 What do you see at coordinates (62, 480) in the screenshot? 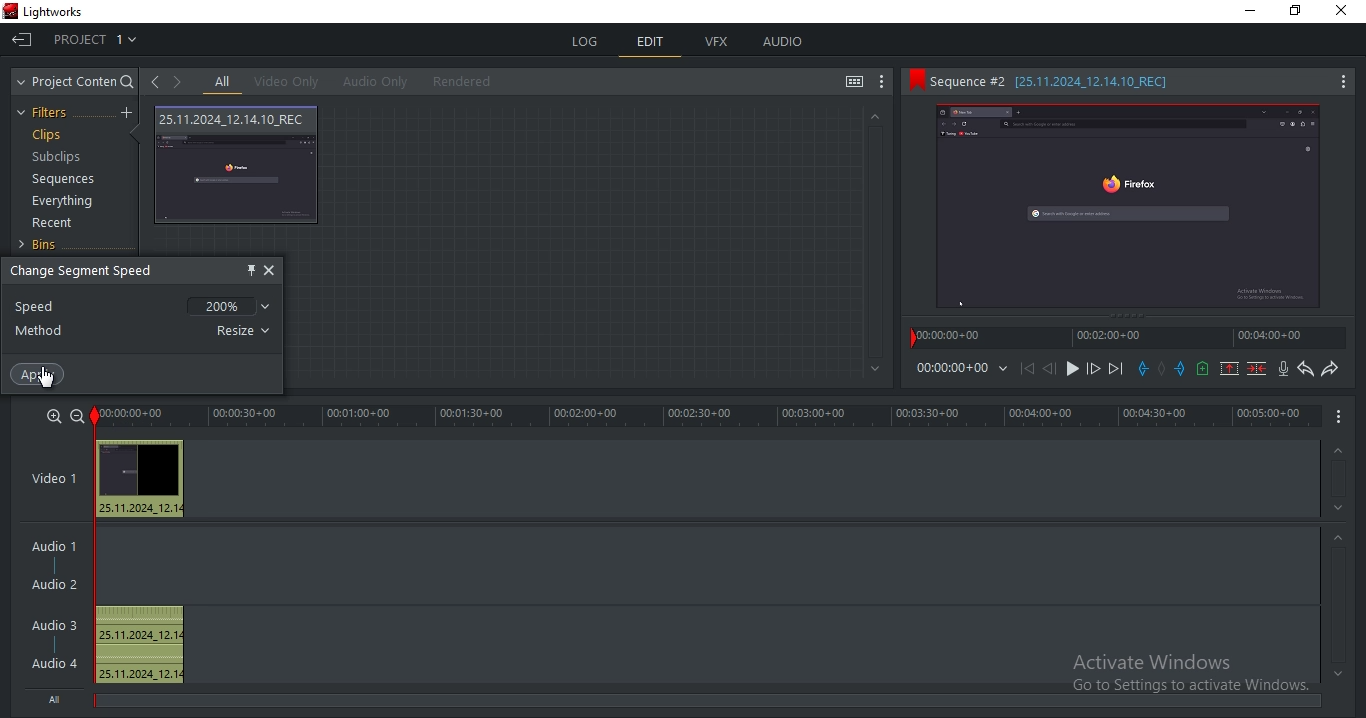
I see `video` at bounding box center [62, 480].